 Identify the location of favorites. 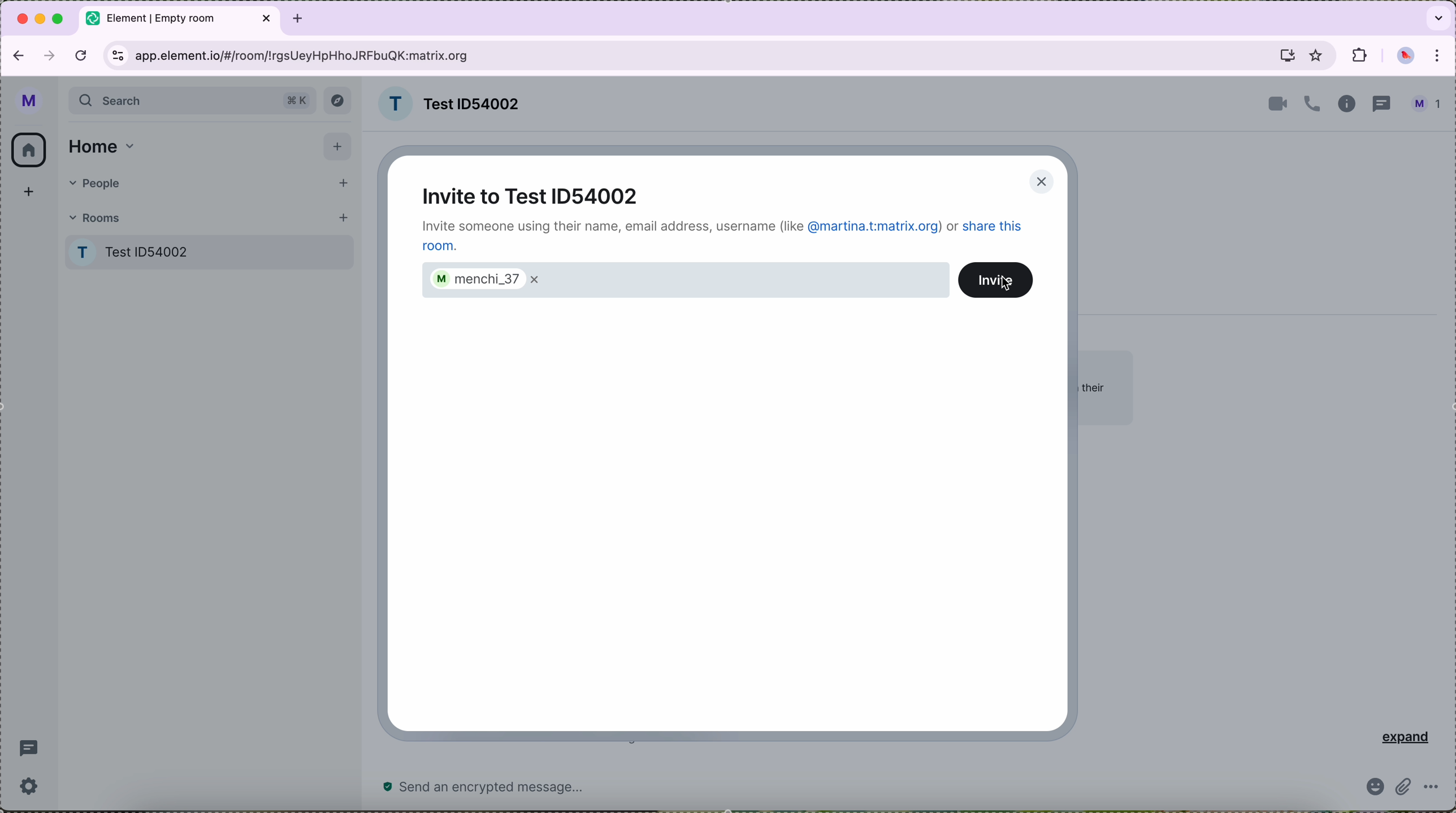
(1316, 55).